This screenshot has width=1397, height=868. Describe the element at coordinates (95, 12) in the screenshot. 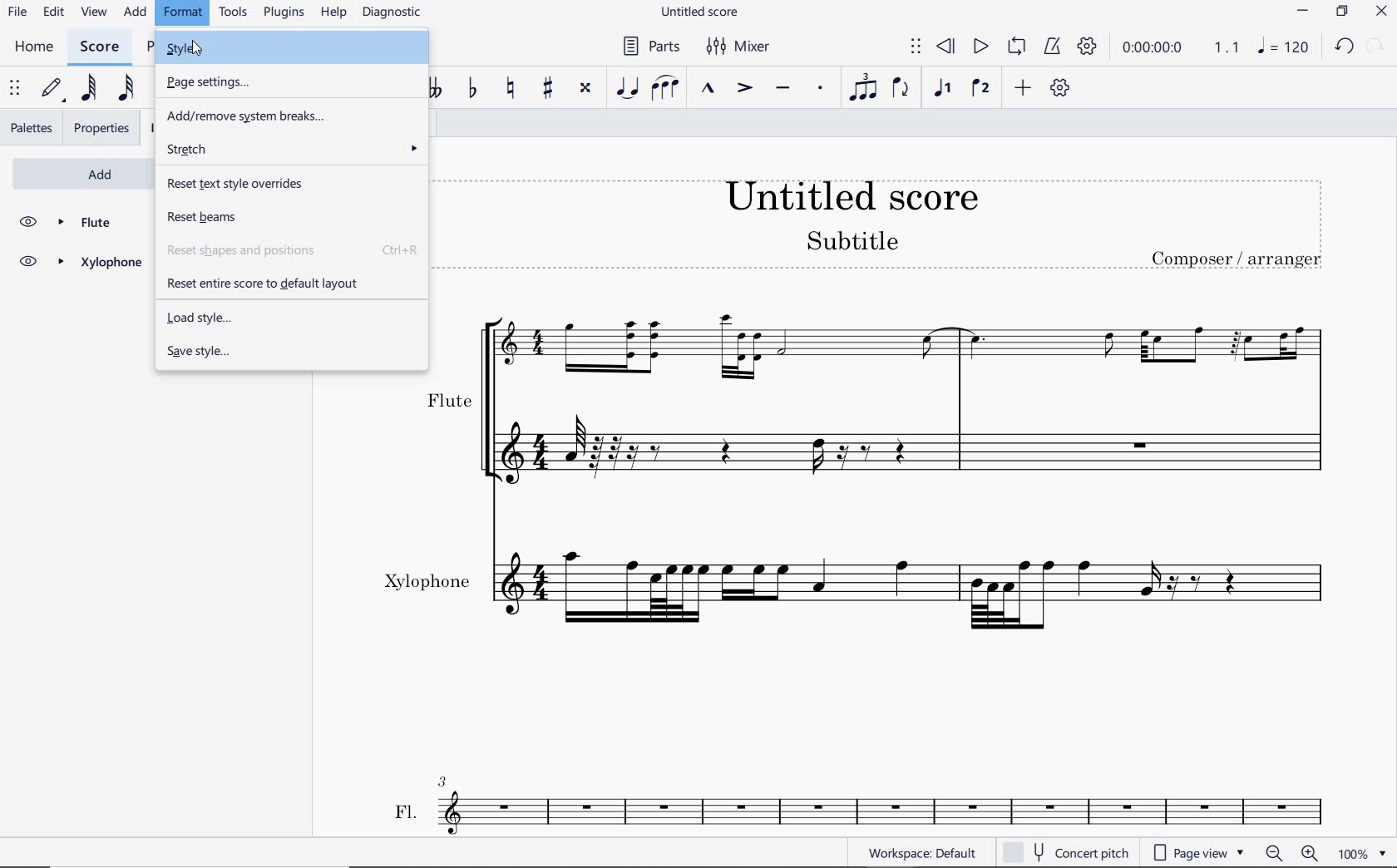

I see `VIEW` at that location.